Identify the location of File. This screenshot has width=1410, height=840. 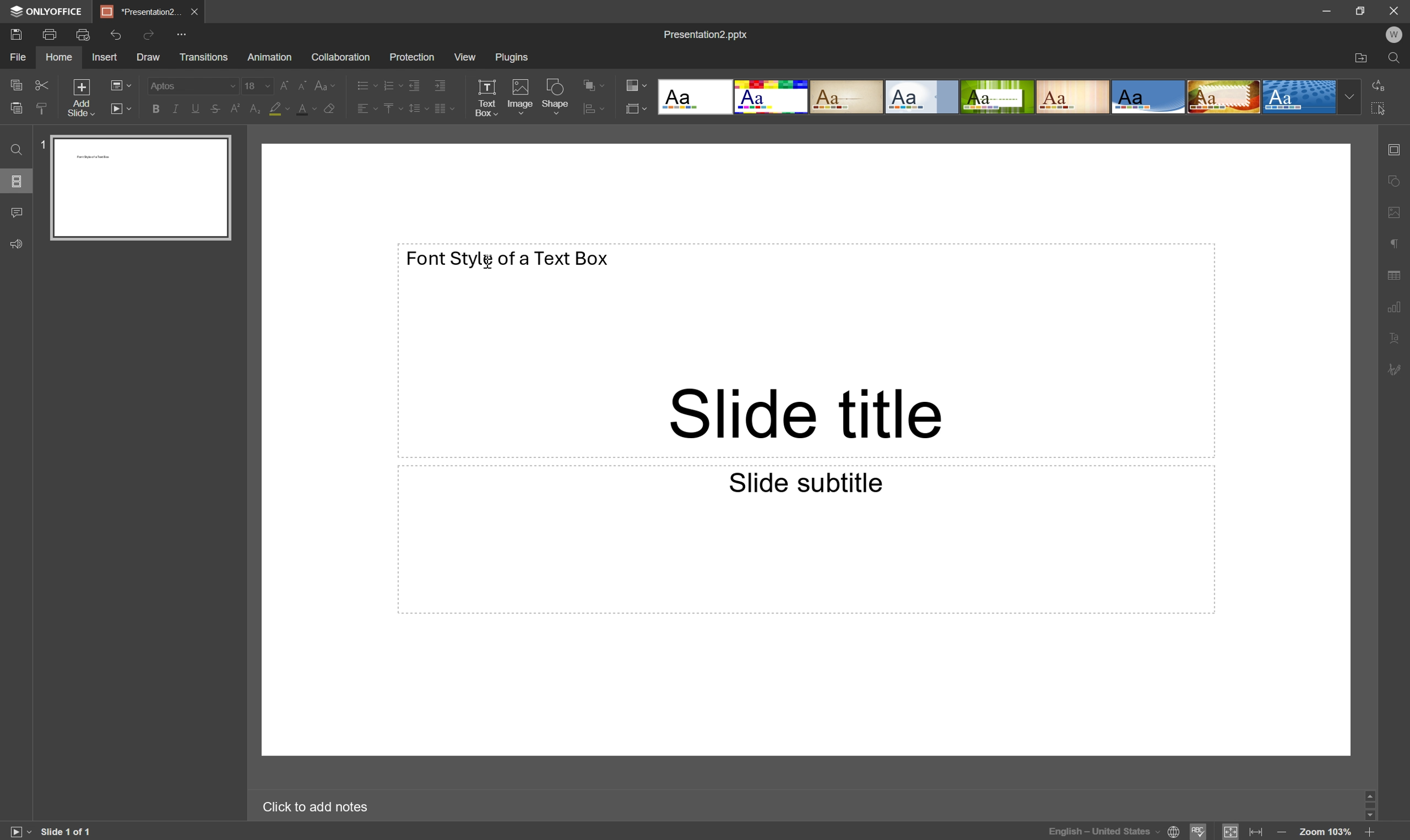
(19, 57).